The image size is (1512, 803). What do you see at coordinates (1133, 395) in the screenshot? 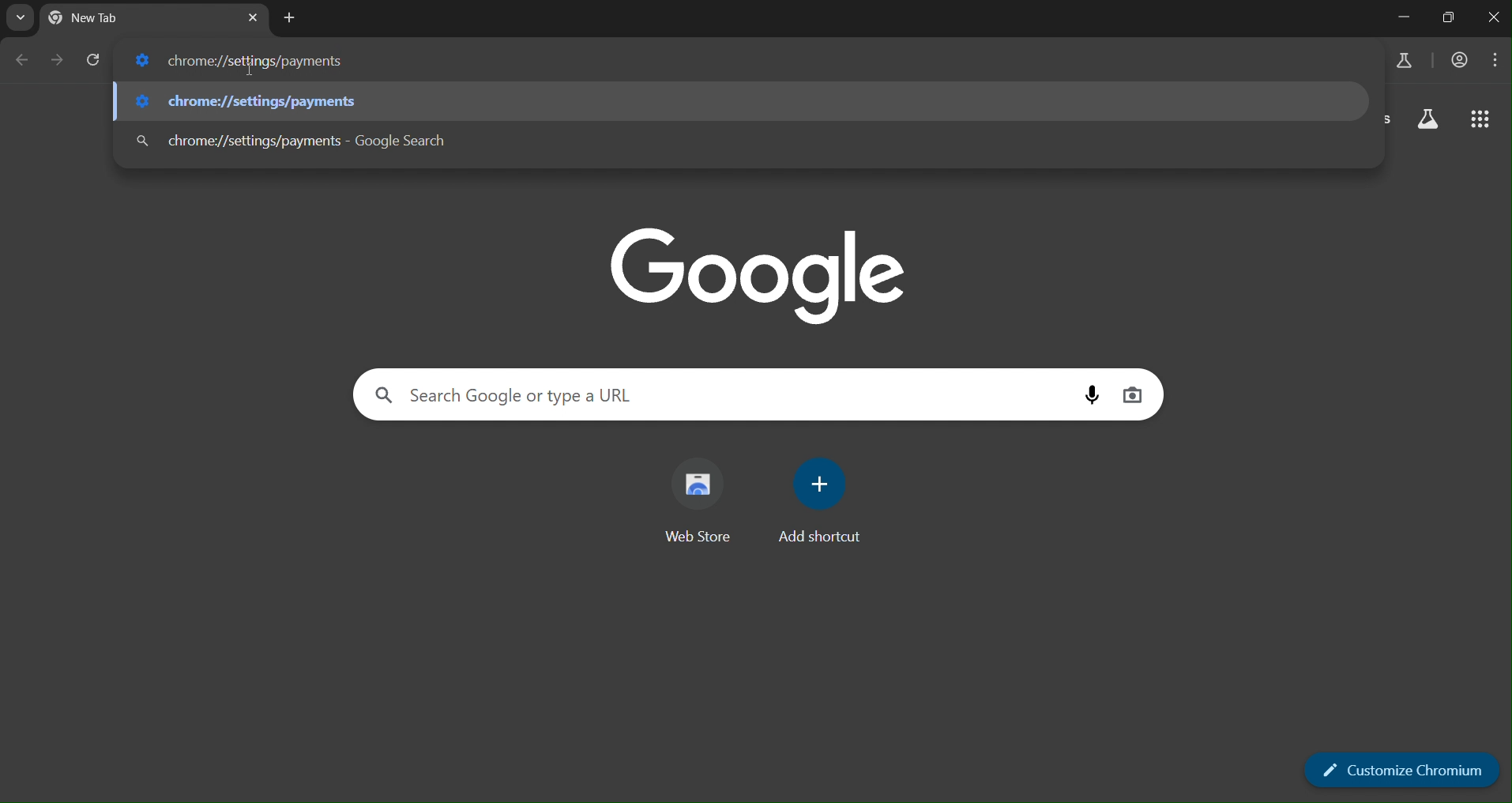
I see `image search` at bounding box center [1133, 395].